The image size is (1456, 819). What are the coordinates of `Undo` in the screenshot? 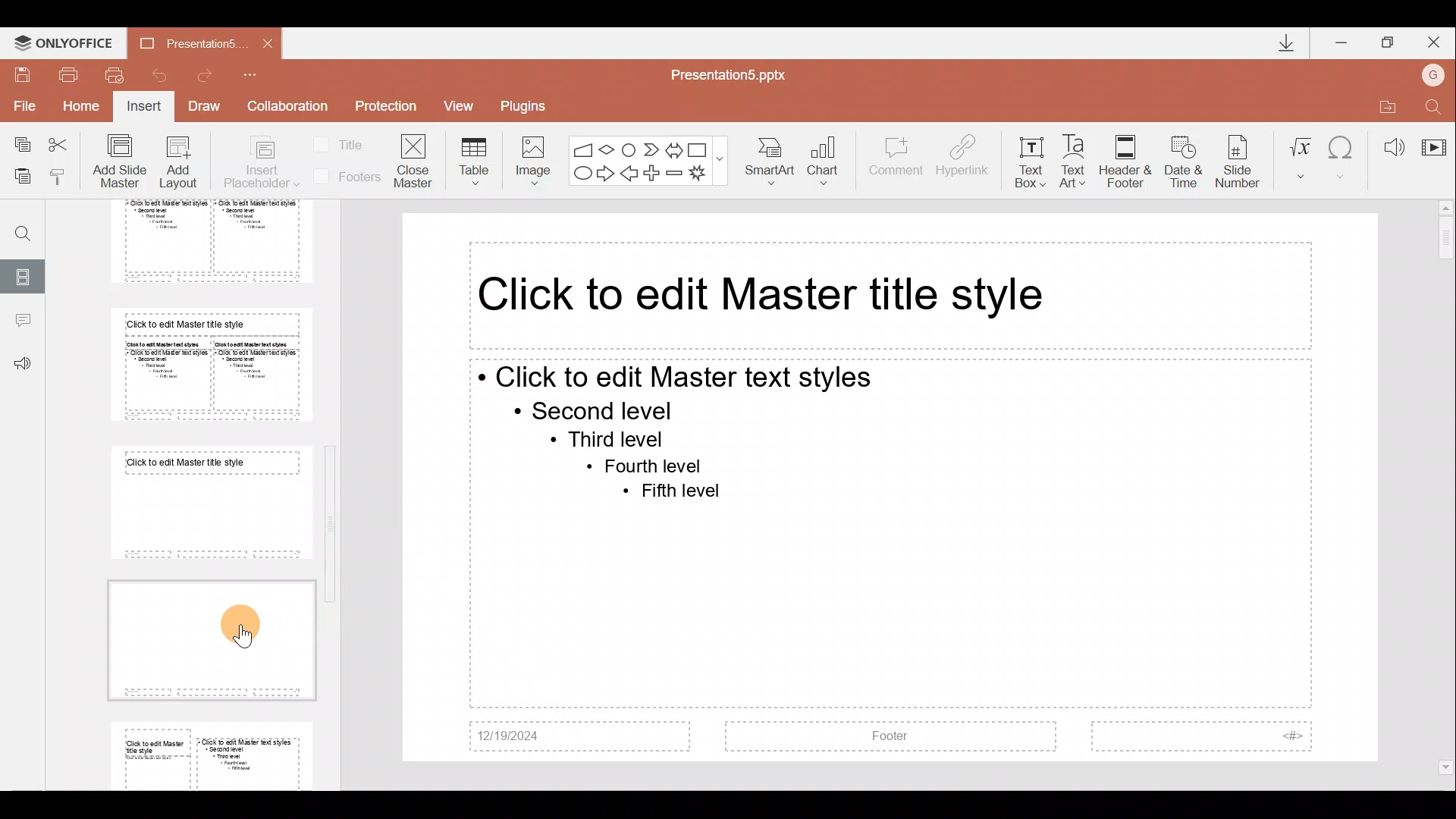 It's located at (158, 74).